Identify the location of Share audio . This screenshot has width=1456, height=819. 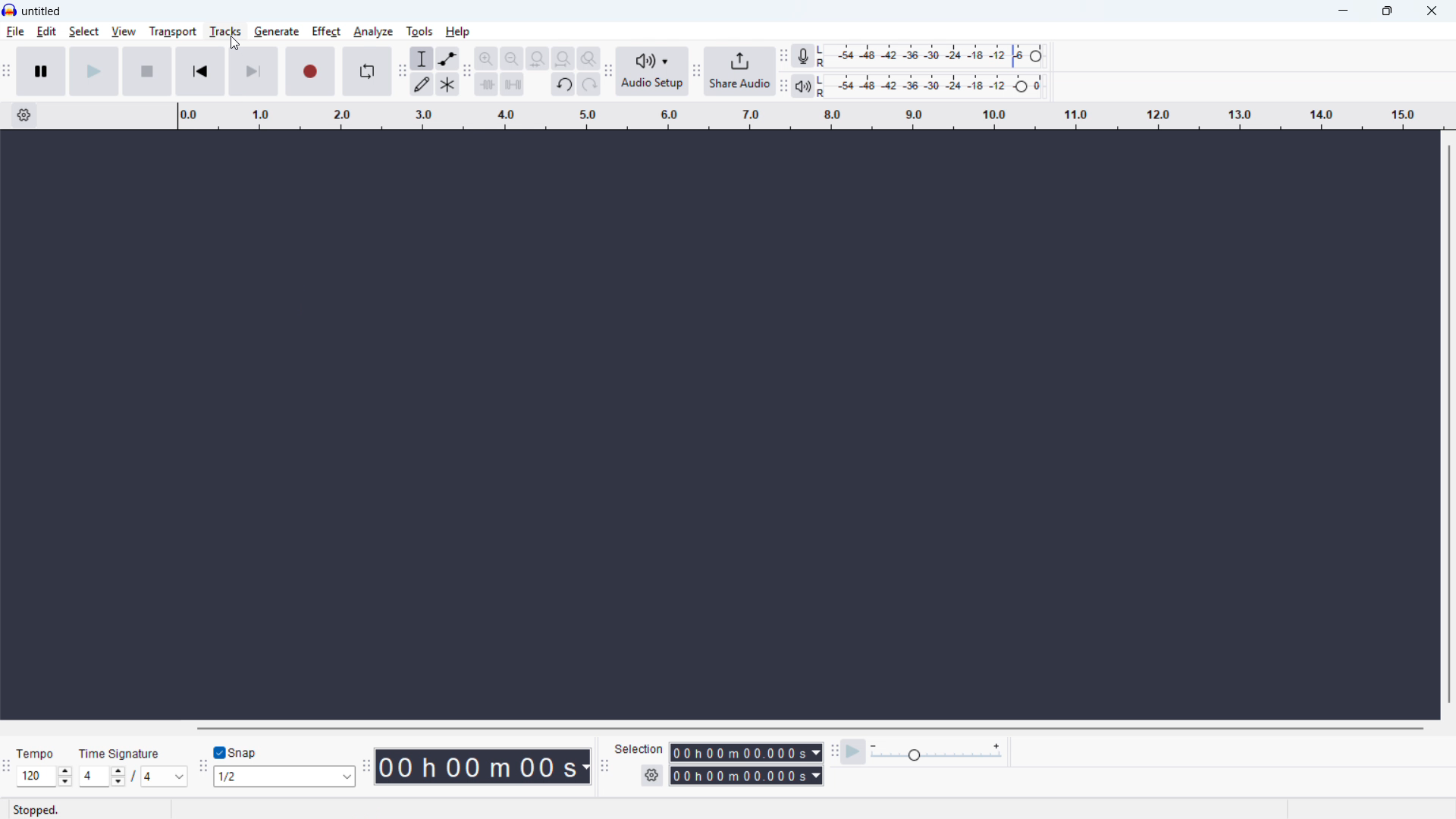
(741, 71).